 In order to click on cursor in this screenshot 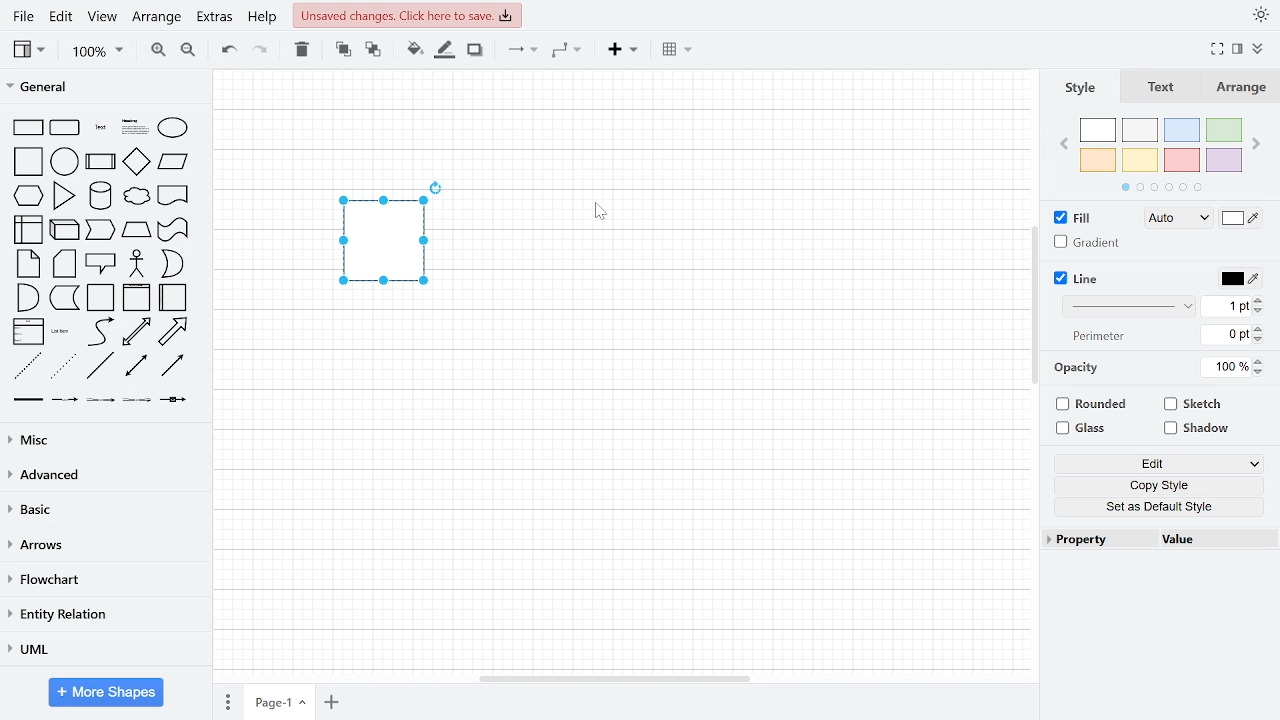, I will do `click(598, 212)`.